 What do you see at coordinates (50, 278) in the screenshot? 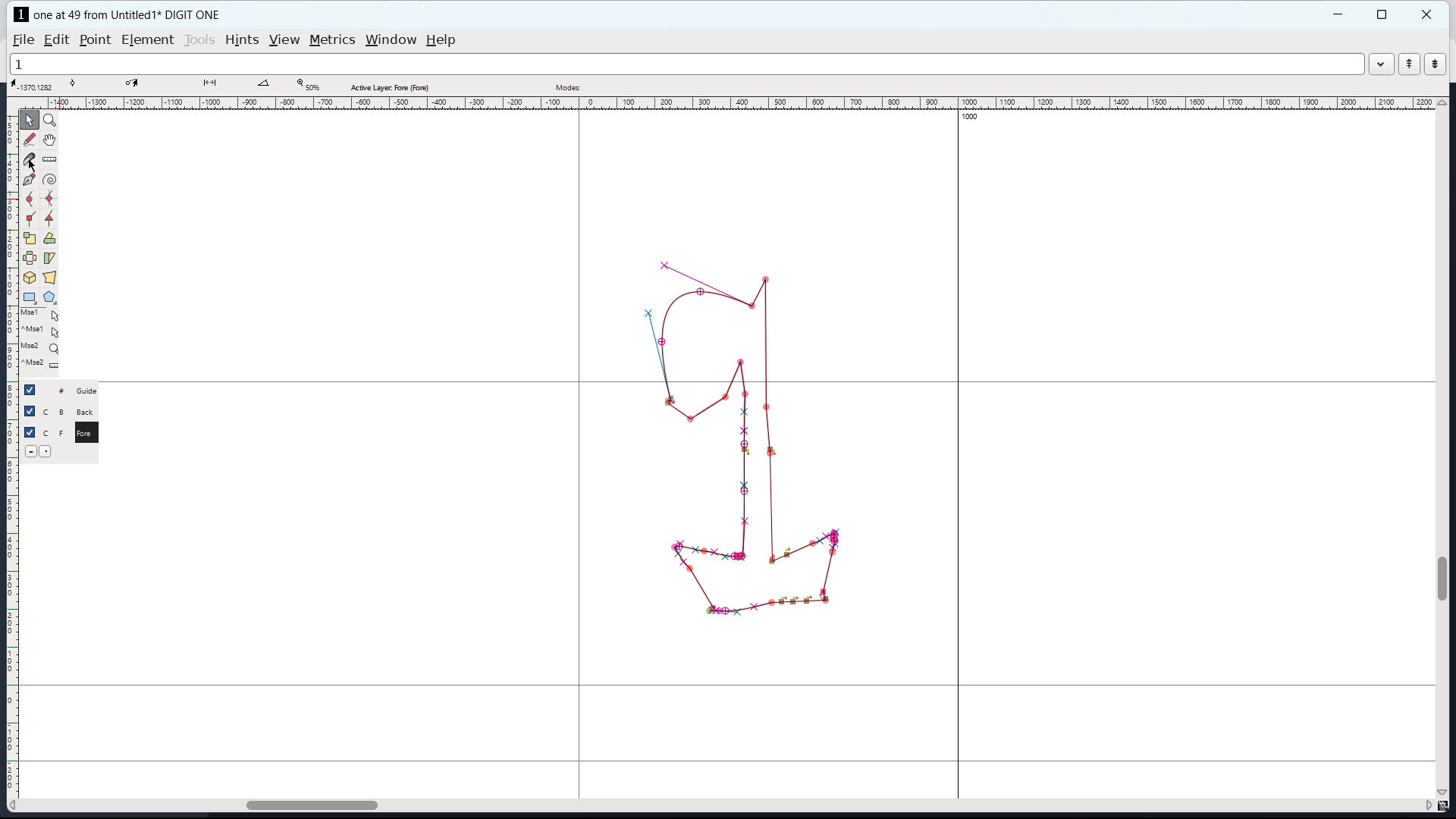
I see `perspective transformation` at bounding box center [50, 278].